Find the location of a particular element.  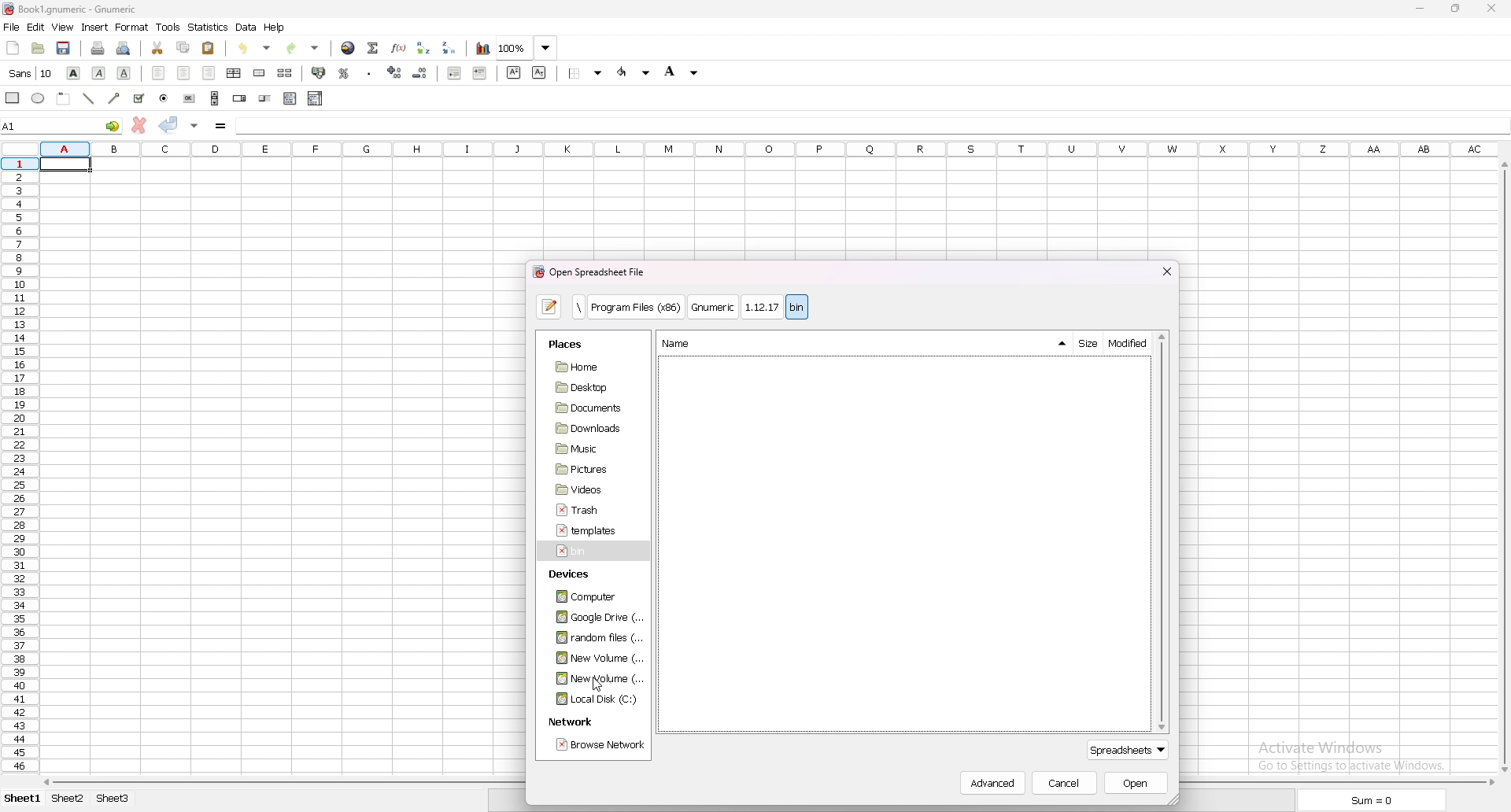

help is located at coordinates (276, 27).